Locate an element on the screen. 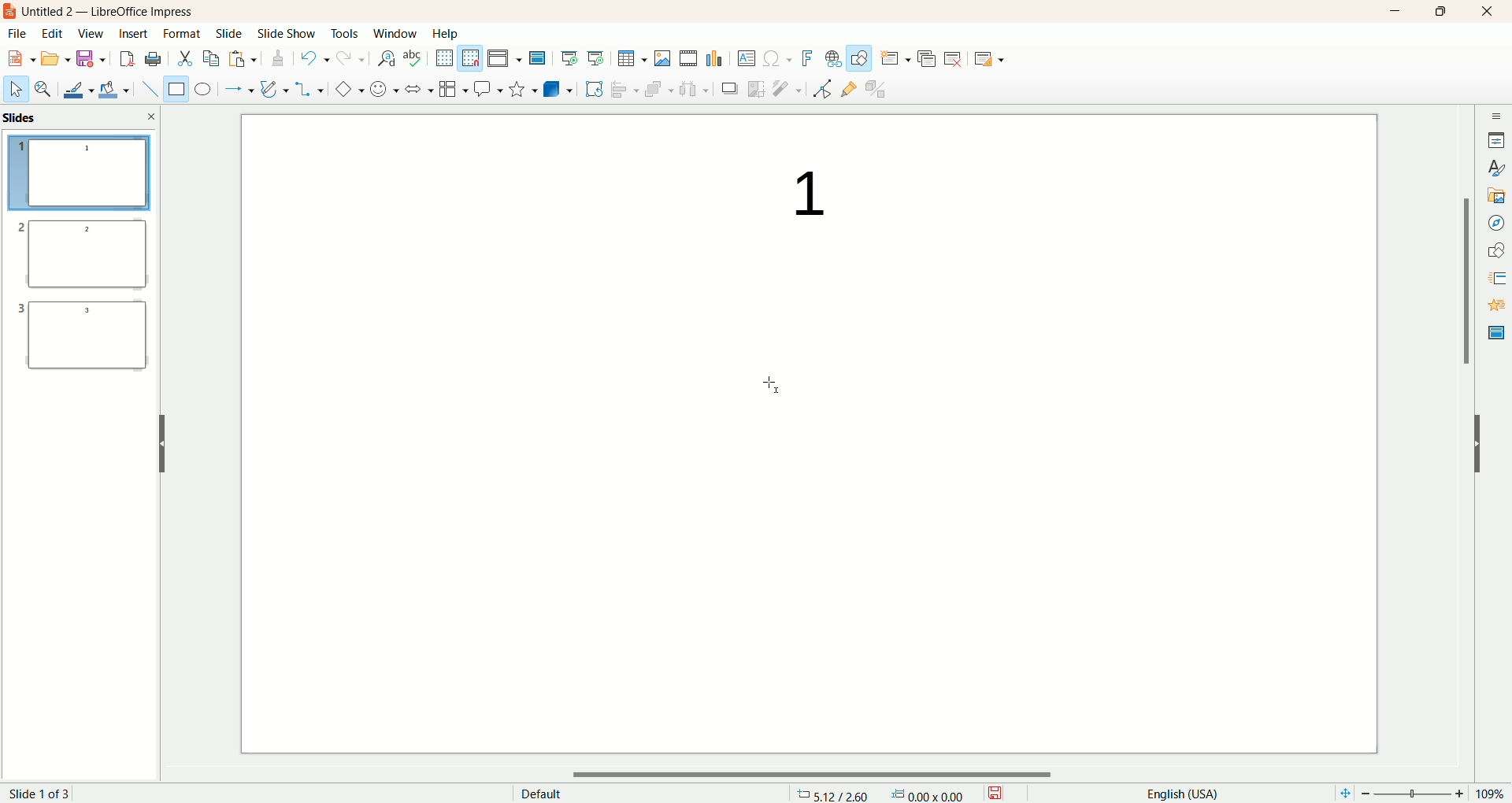 Image resolution: width=1512 pixels, height=803 pixels. vertical scroll bar is located at coordinates (1466, 438).